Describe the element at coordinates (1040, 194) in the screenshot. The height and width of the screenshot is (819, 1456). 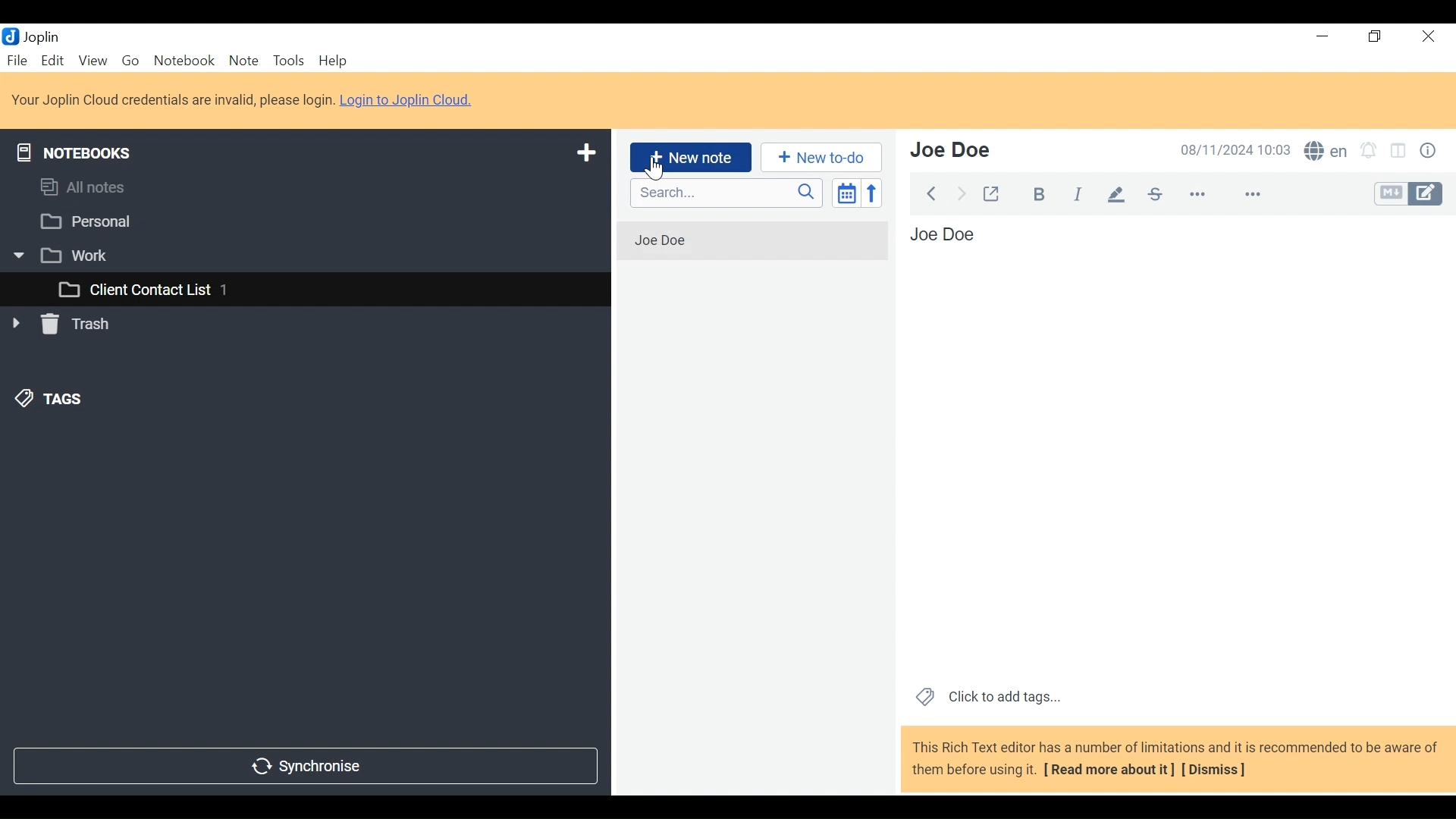
I see `Bold` at that location.